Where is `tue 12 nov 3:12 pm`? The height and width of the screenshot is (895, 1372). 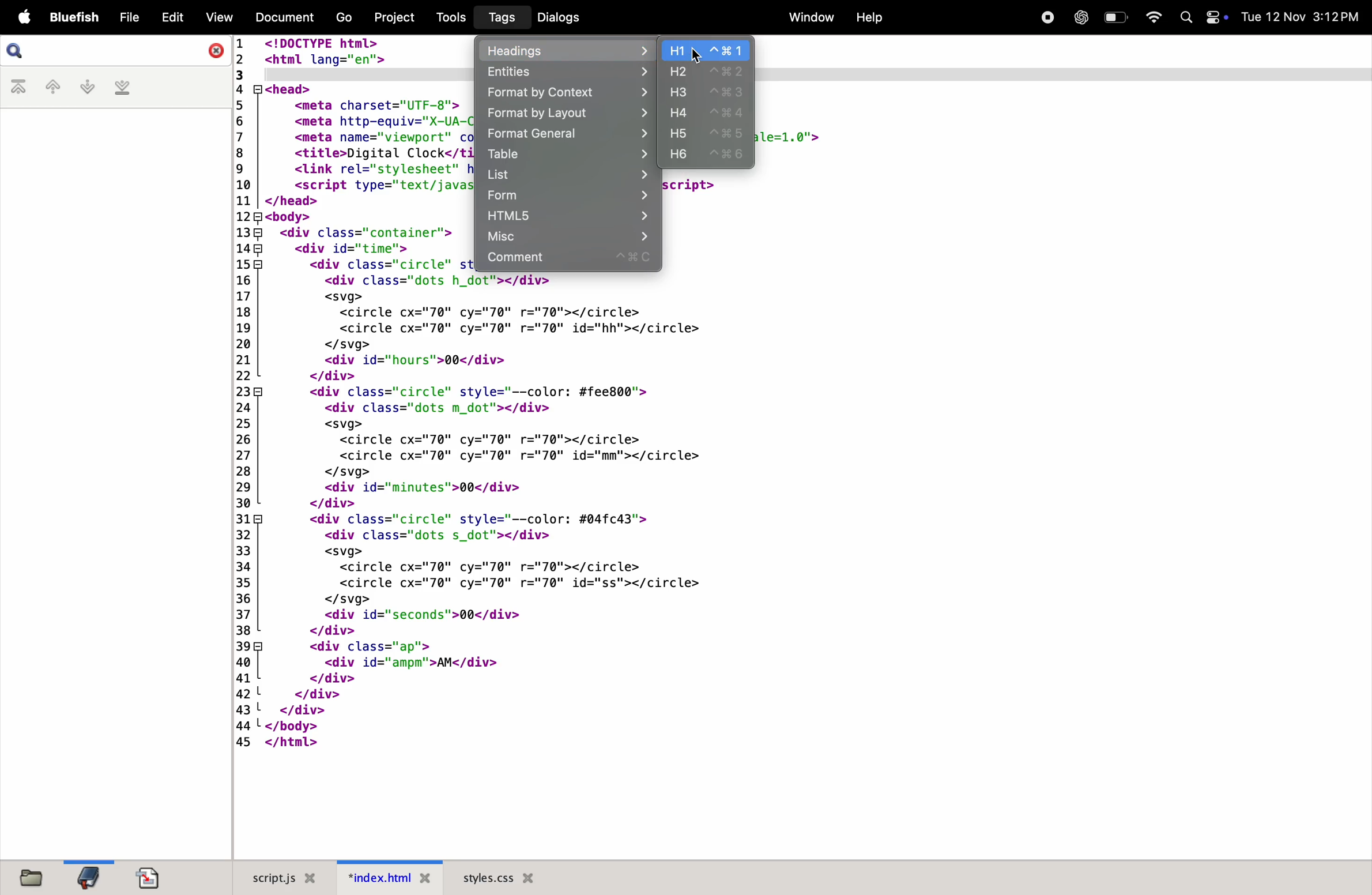 tue 12 nov 3:12 pm is located at coordinates (1301, 17).